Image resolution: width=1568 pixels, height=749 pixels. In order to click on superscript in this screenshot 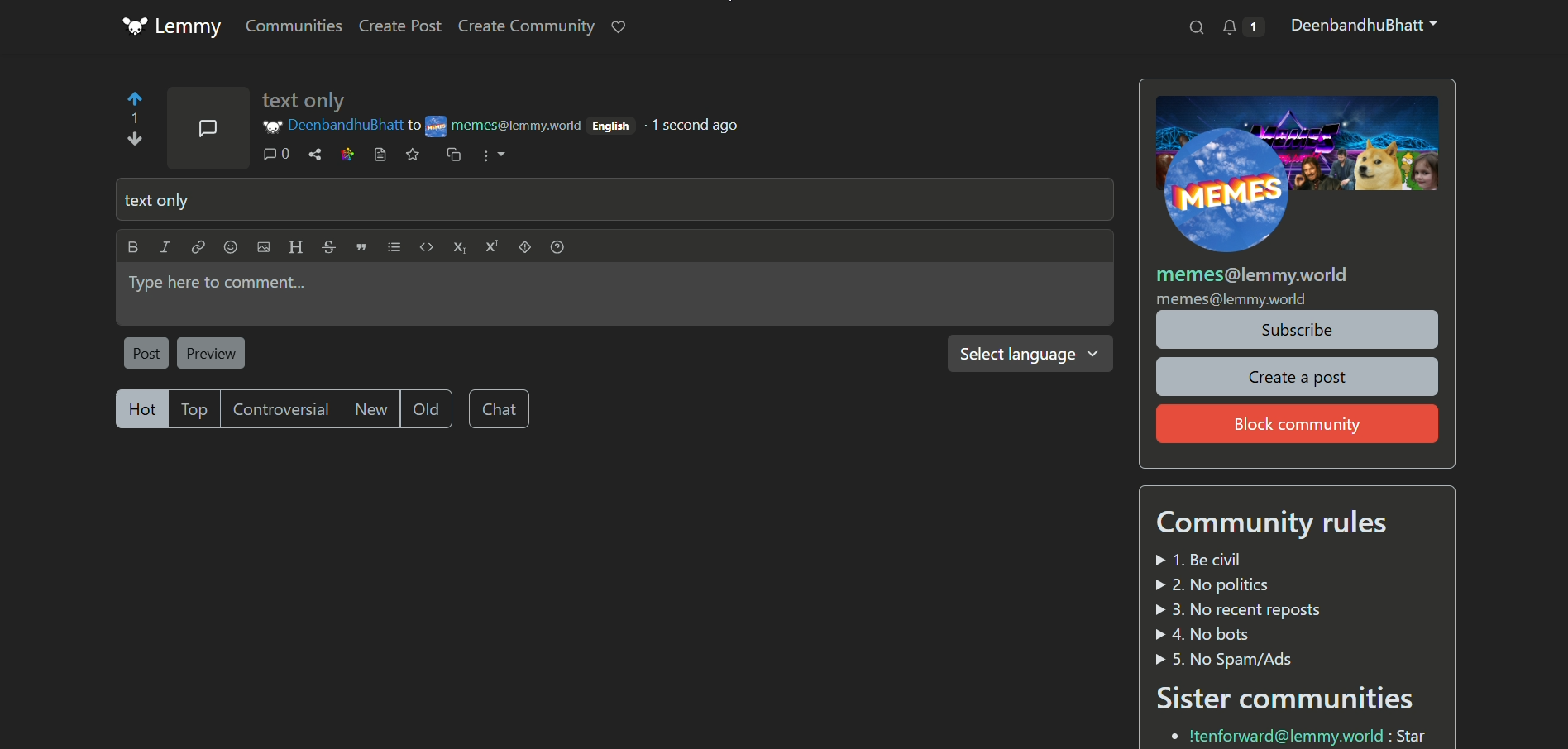, I will do `click(493, 246)`.